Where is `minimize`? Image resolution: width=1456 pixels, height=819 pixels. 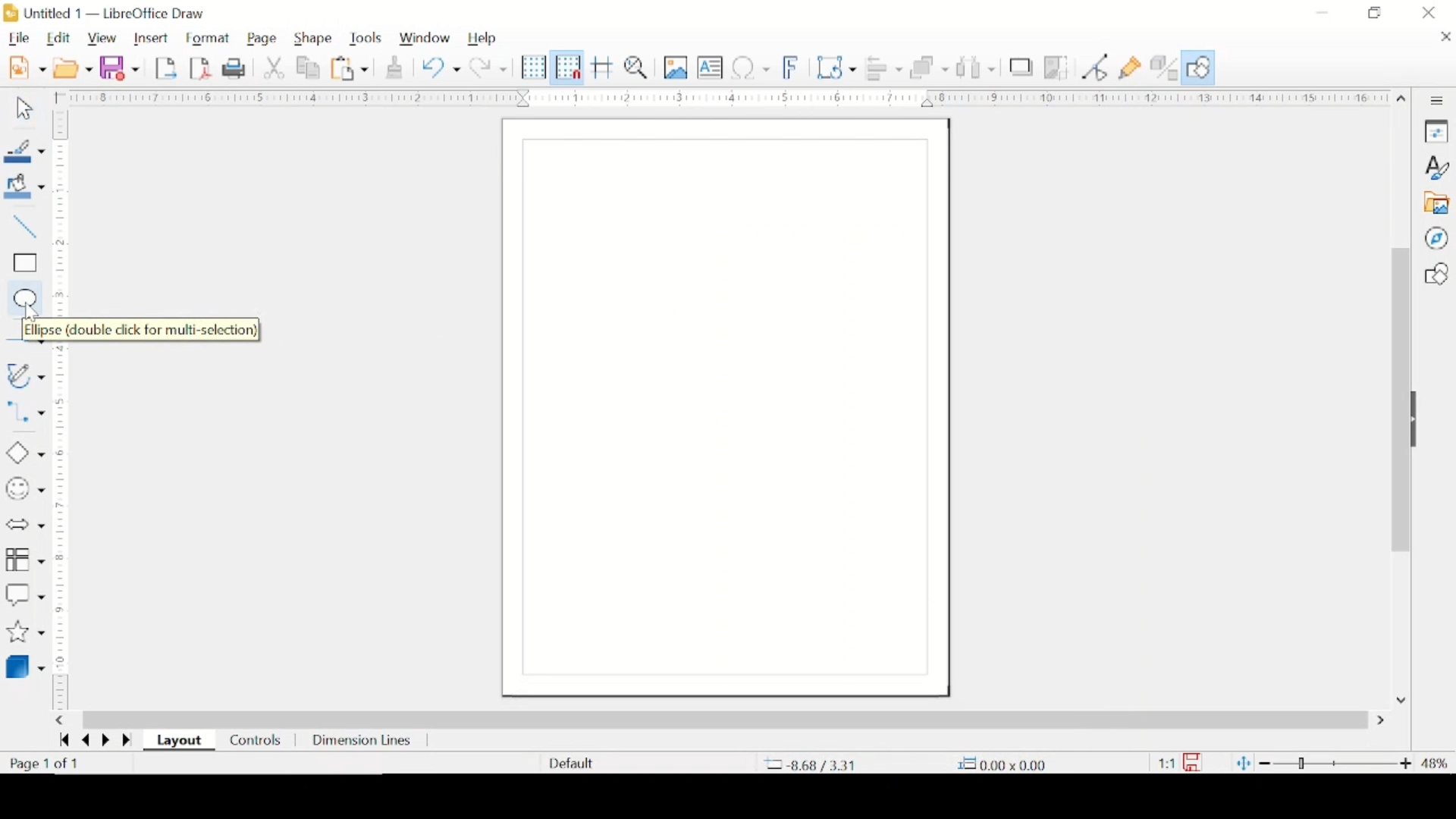
minimize is located at coordinates (1324, 11).